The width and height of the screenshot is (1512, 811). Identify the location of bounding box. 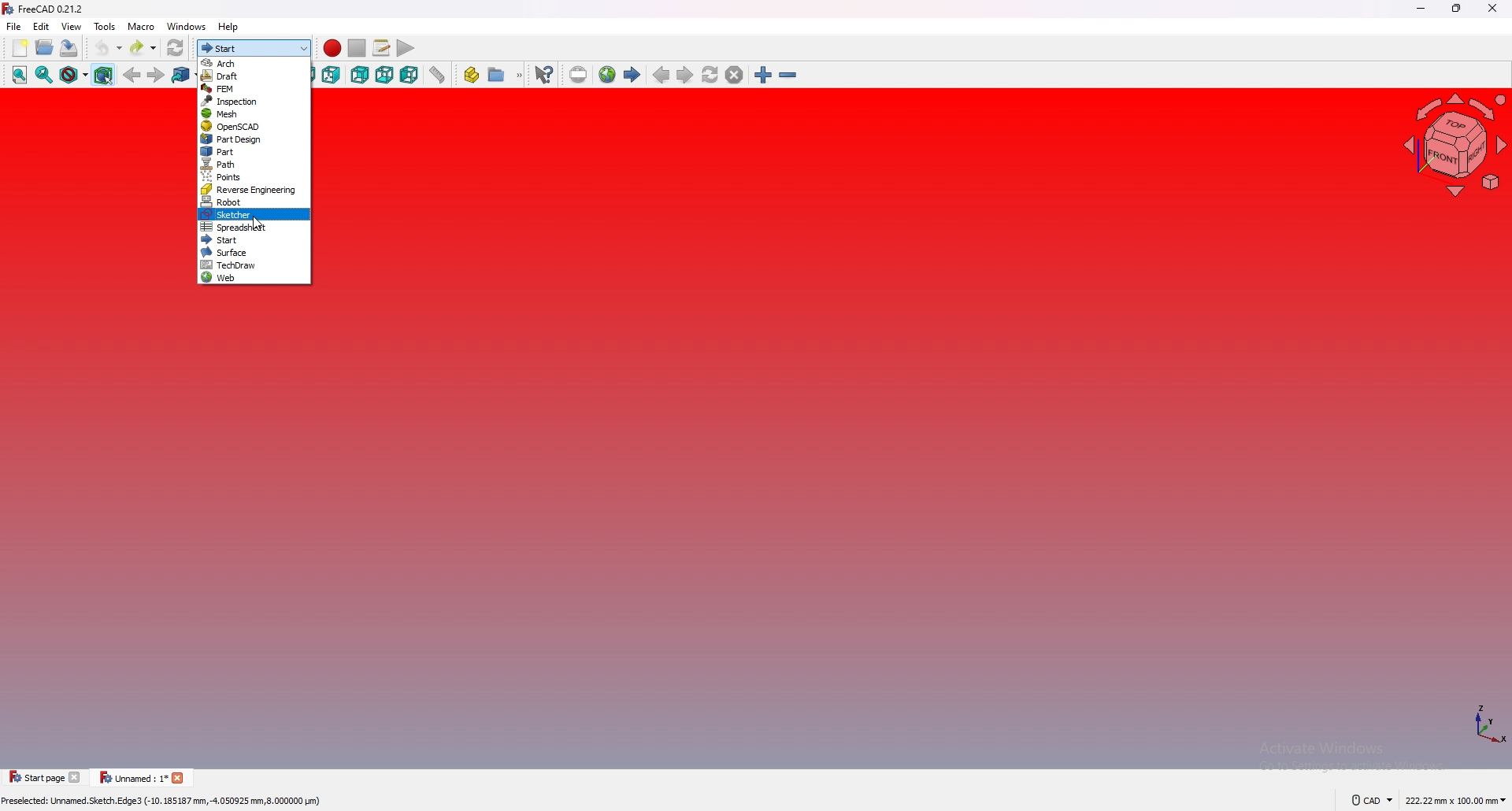
(104, 75).